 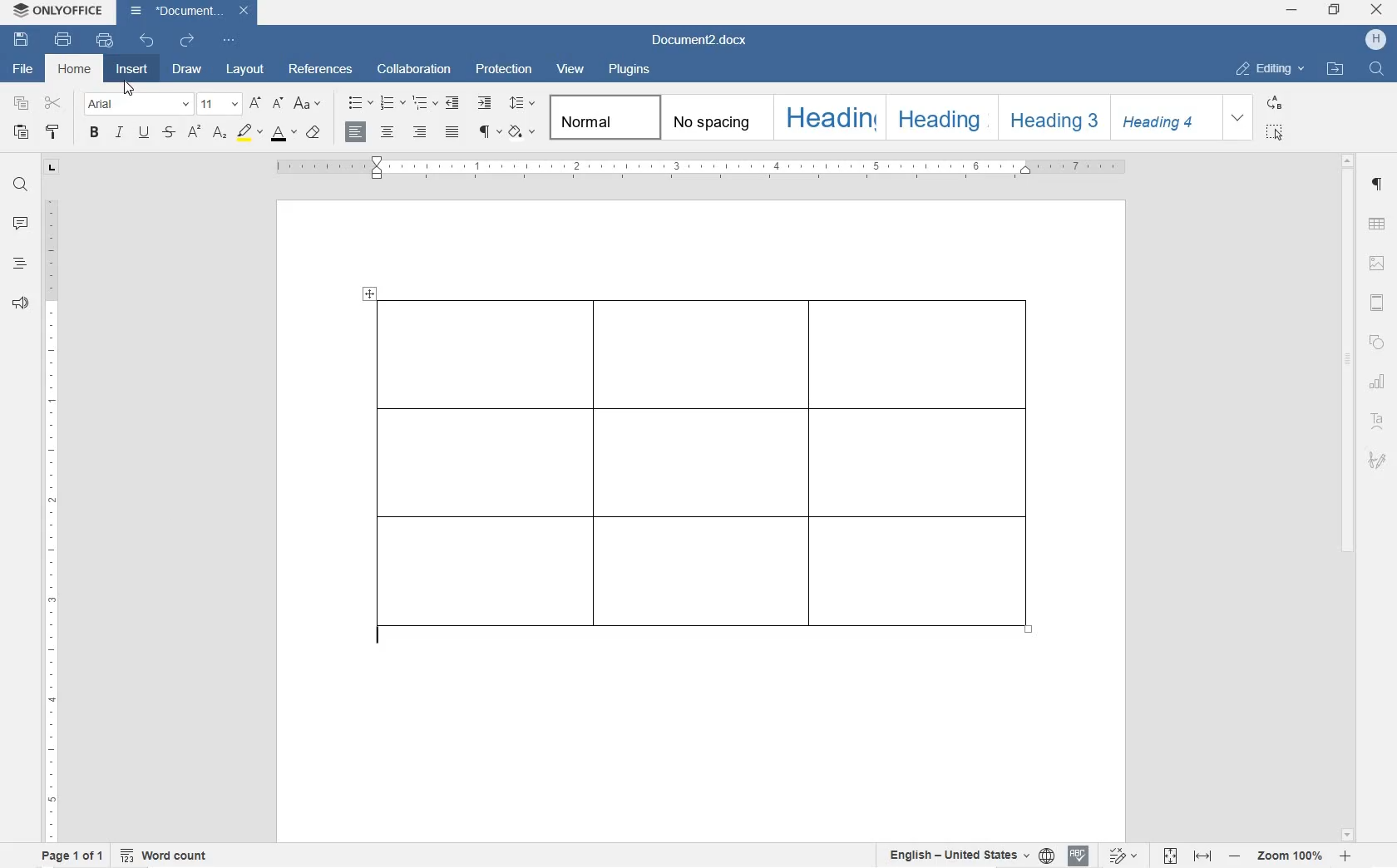 What do you see at coordinates (255, 104) in the screenshot?
I see `increment font size` at bounding box center [255, 104].